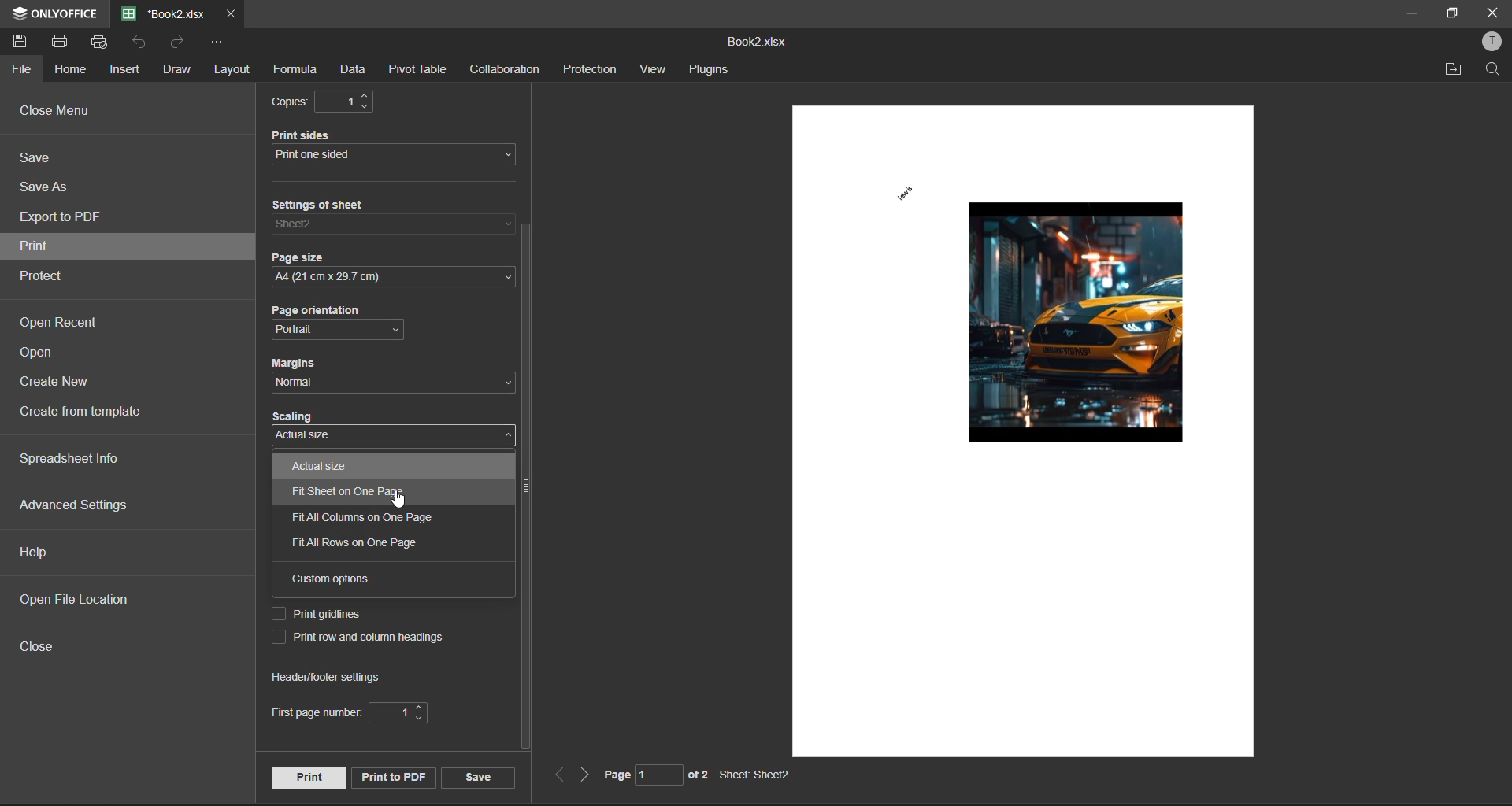 The width and height of the screenshot is (1512, 806). Describe the element at coordinates (25, 44) in the screenshot. I see `save` at that location.